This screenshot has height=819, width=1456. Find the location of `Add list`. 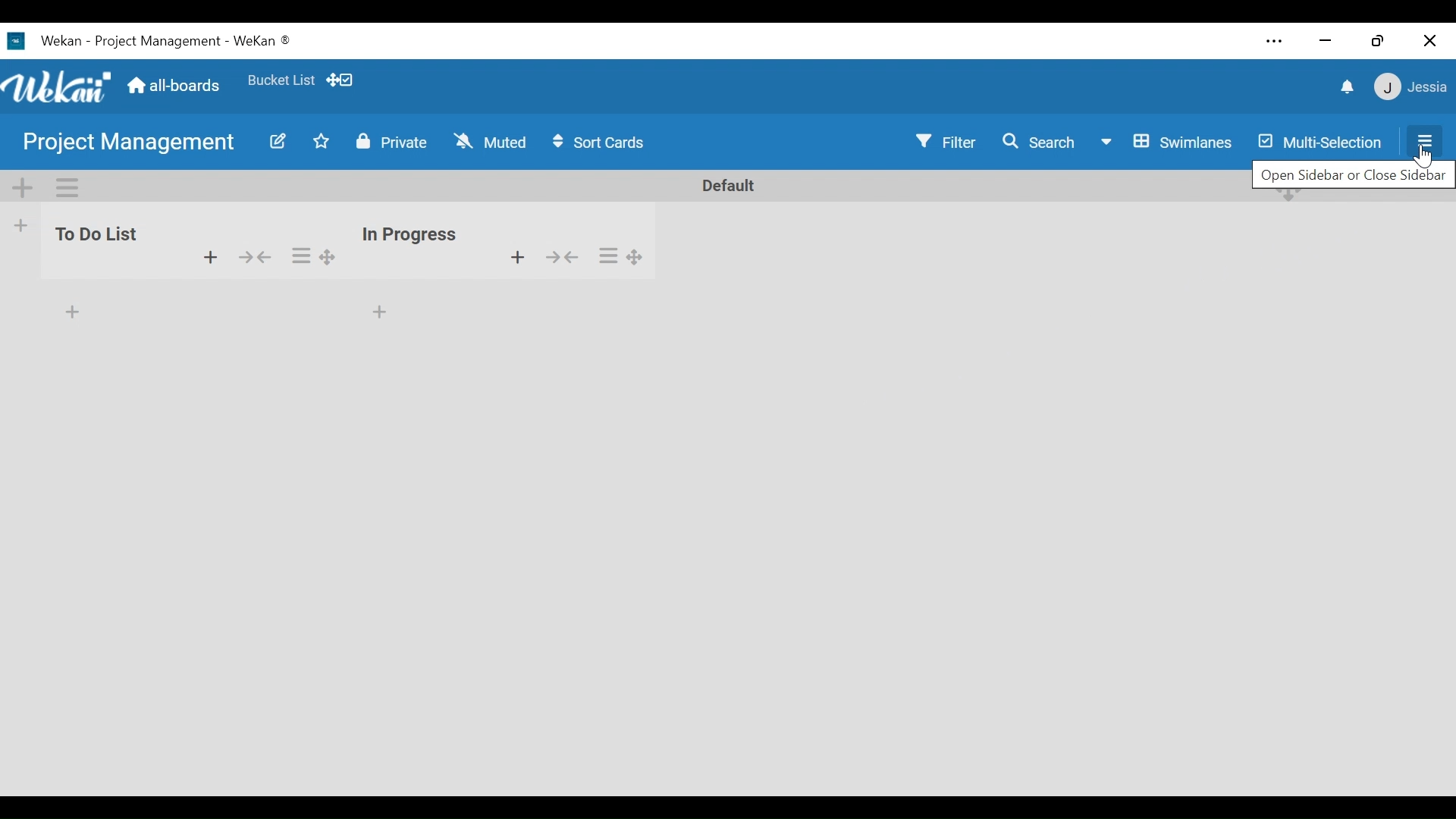

Add list is located at coordinates (22, 224).